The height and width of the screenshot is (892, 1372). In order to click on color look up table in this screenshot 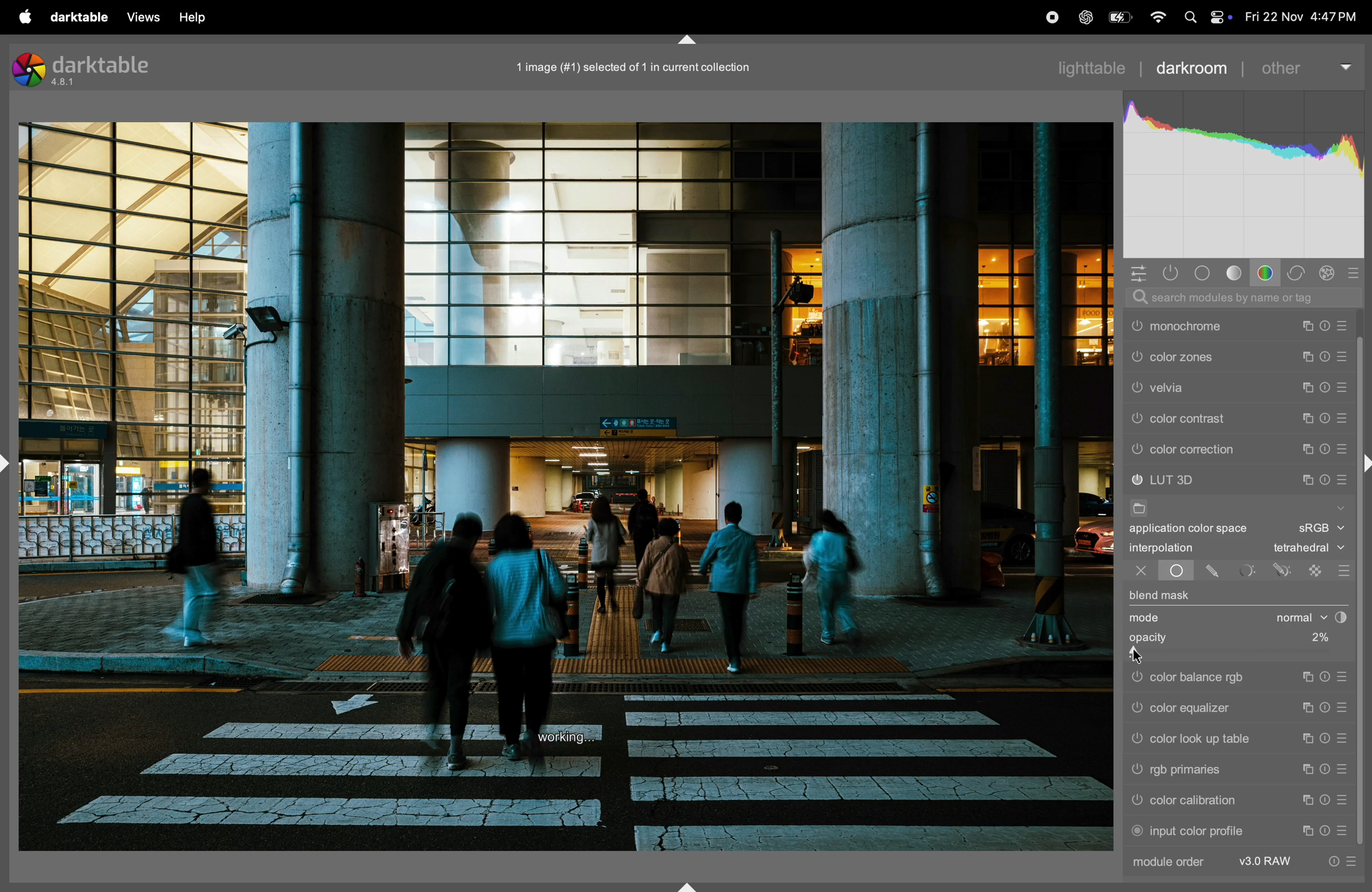, I will do `click(1208, 739)`.